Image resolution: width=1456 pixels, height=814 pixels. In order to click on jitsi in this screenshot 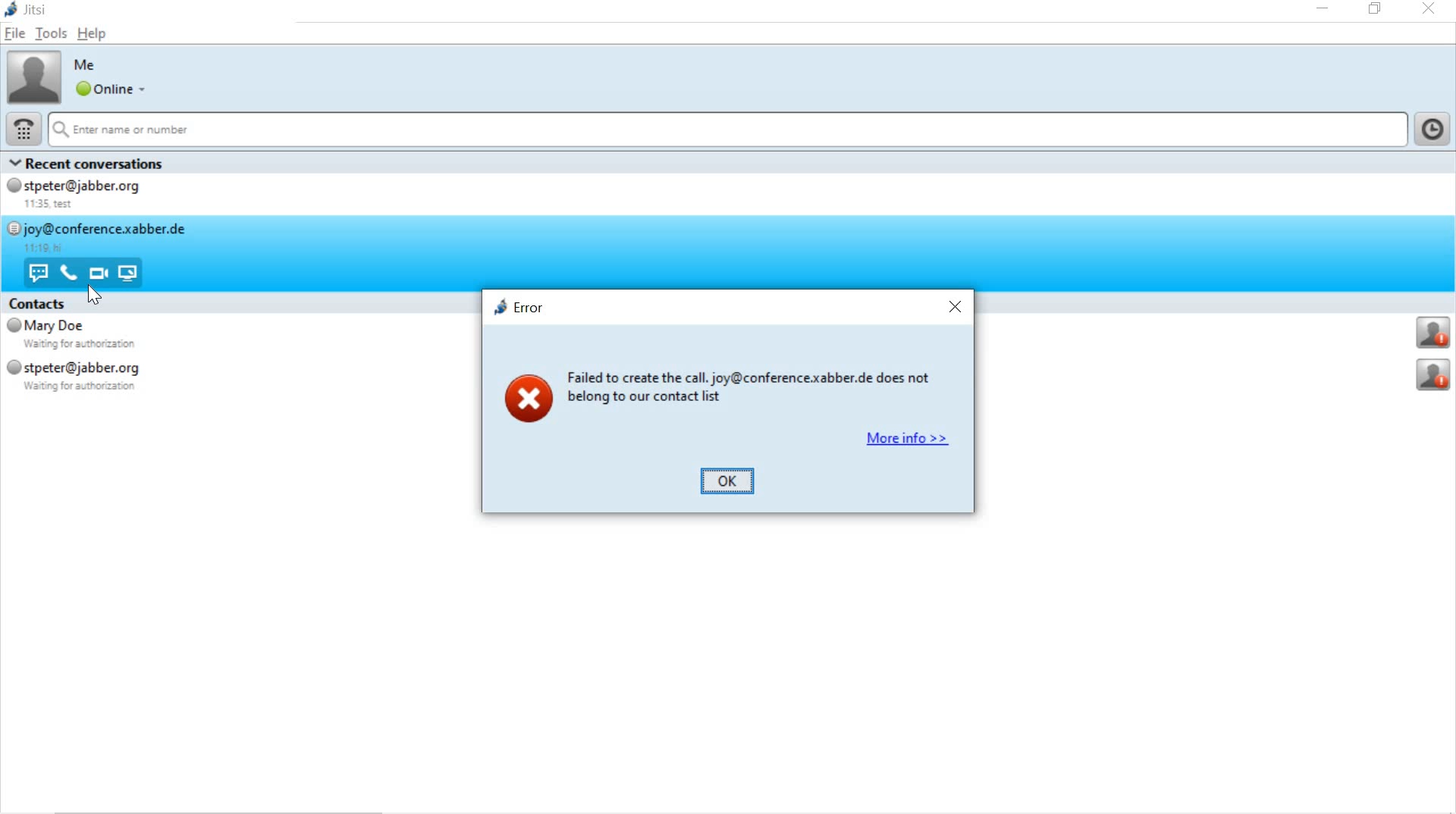, I will do `click(30, 11)`.